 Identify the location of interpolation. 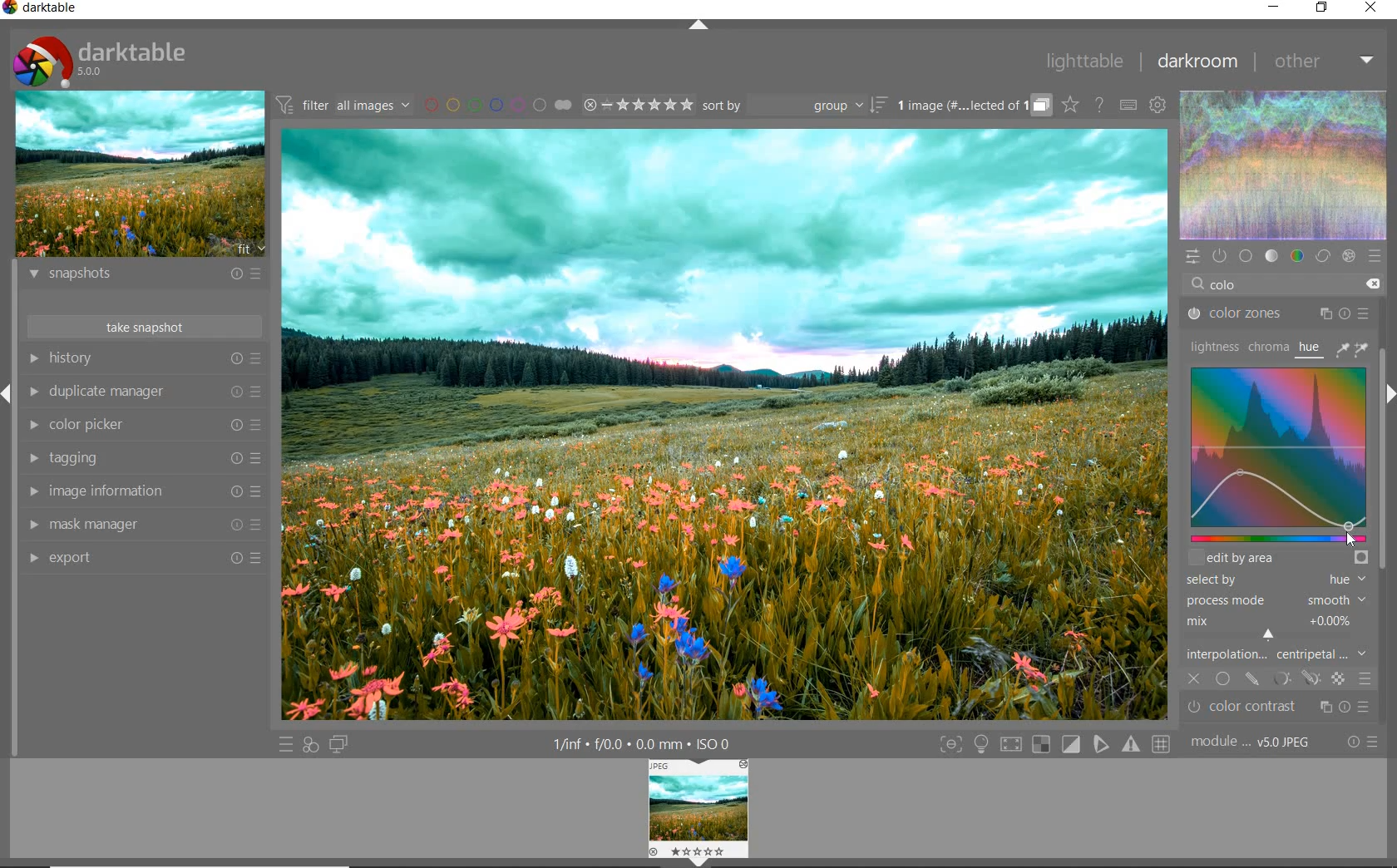
(1277, 655).